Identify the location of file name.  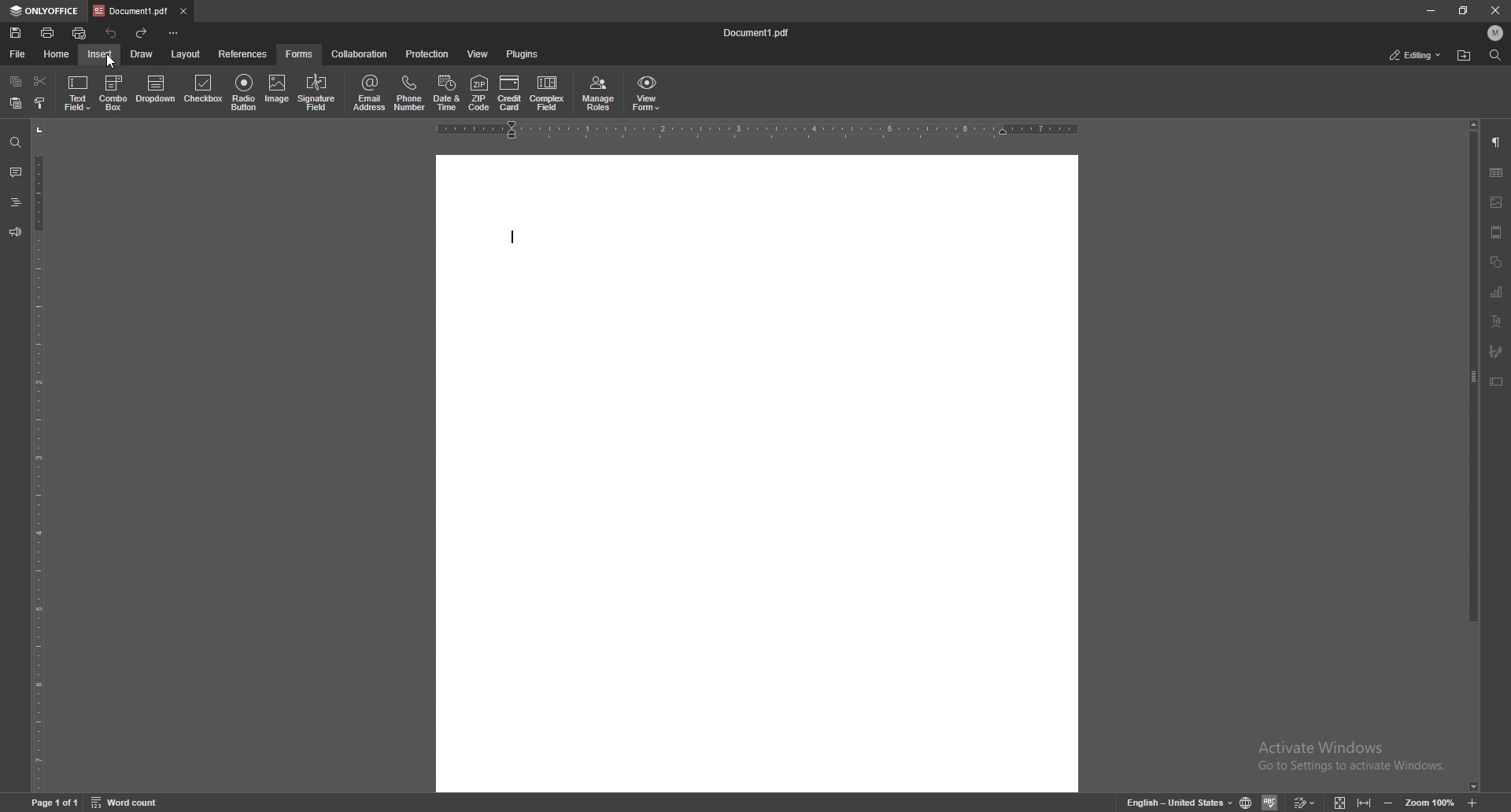
(757, 32).